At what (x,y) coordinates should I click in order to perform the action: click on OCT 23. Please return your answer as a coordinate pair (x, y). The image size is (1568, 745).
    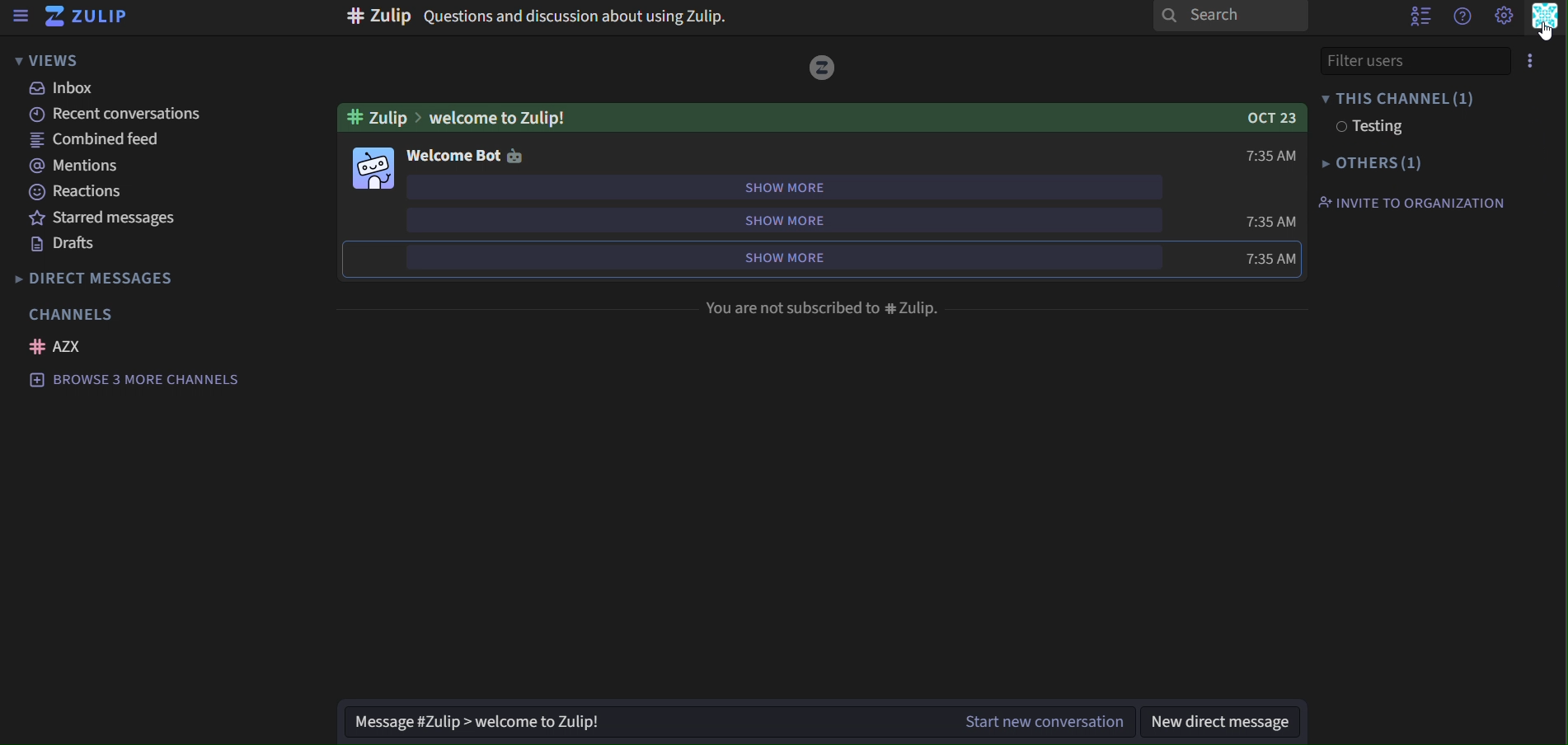
    Looking at the image, I should click on (1266, 117).